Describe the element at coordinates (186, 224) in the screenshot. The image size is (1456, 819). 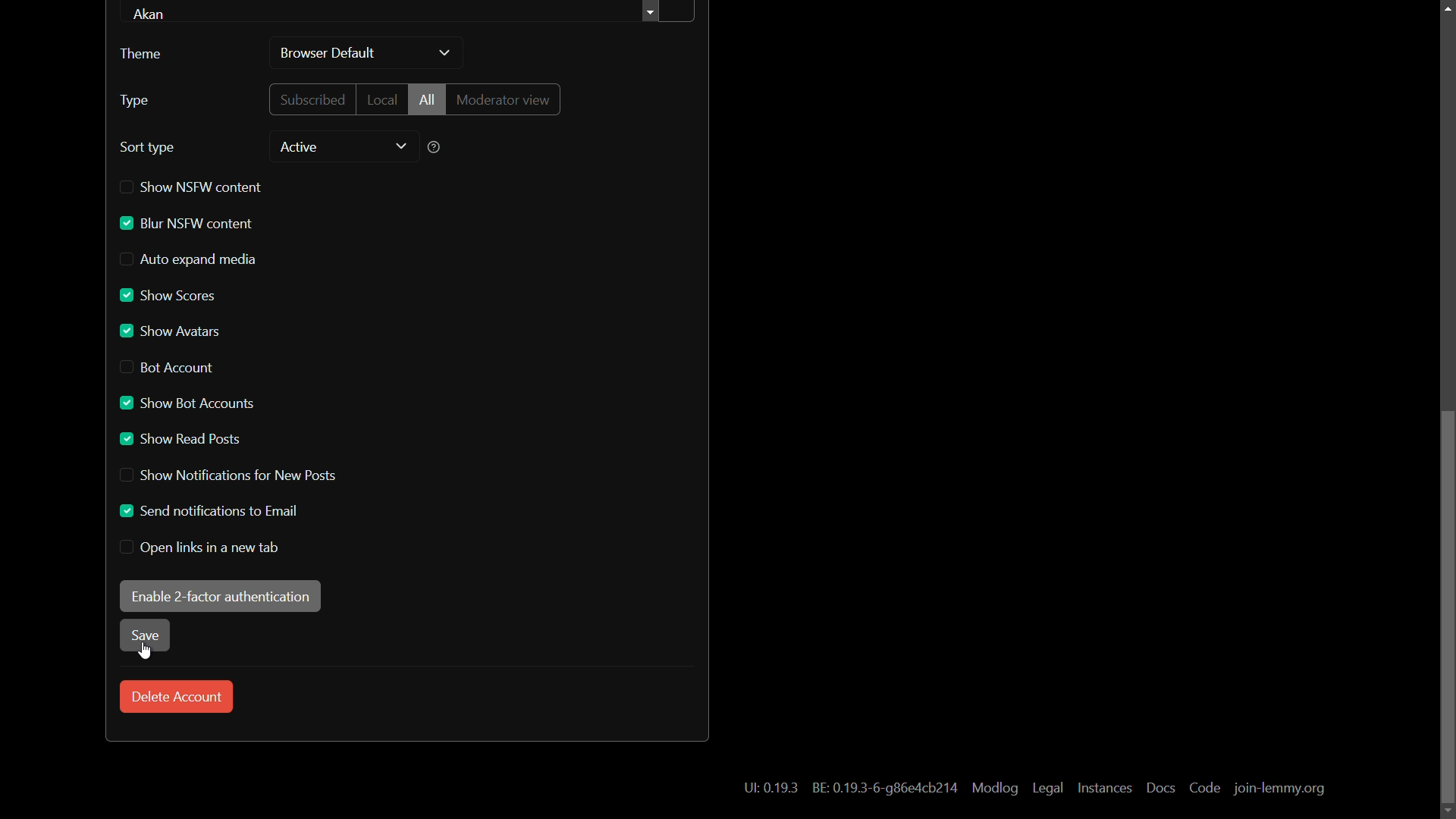
I see `blur nsfw content` at that location.